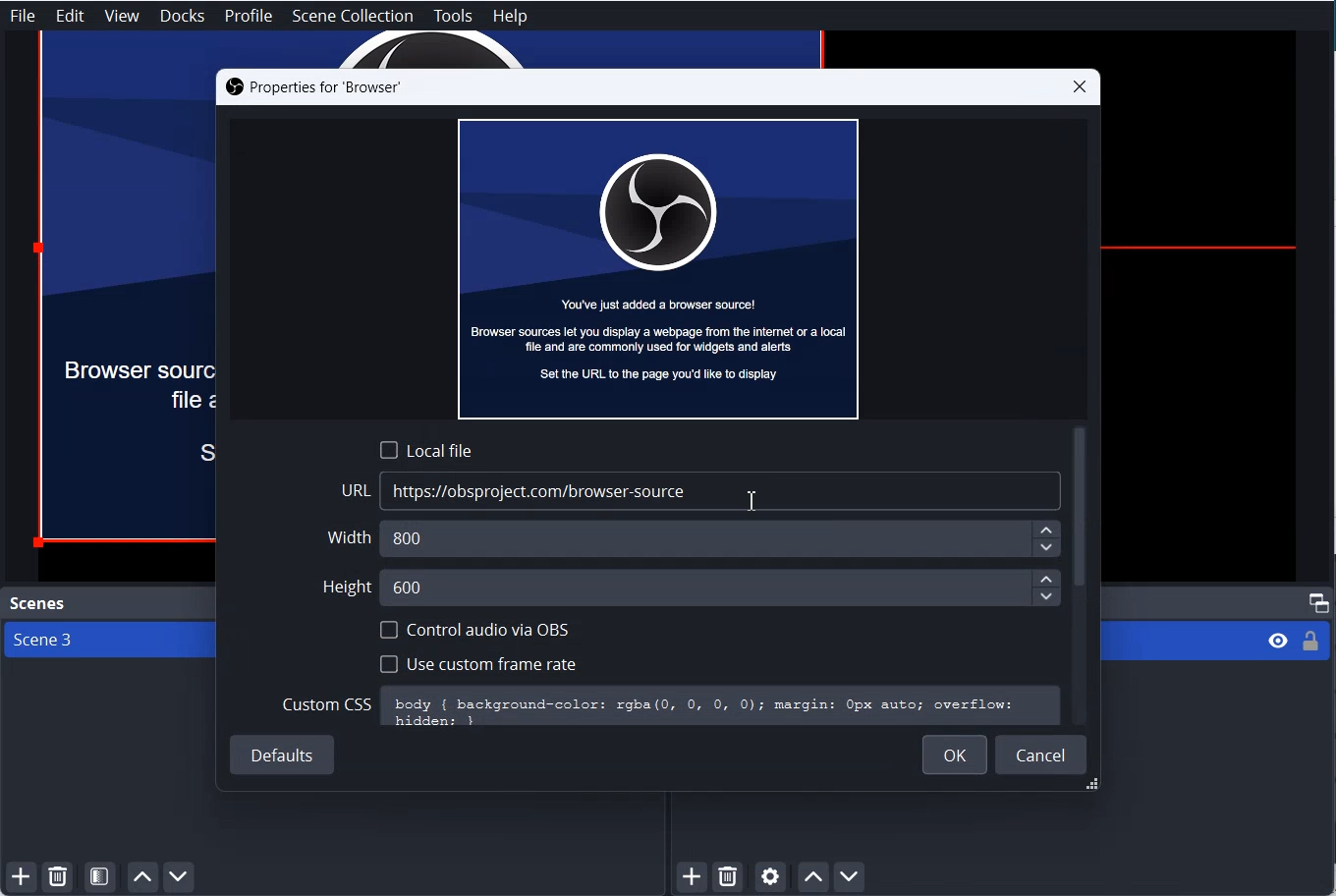 The width and height of the screenshot is (1336, 896). I want to click on Add Scene, so click(18, 878).